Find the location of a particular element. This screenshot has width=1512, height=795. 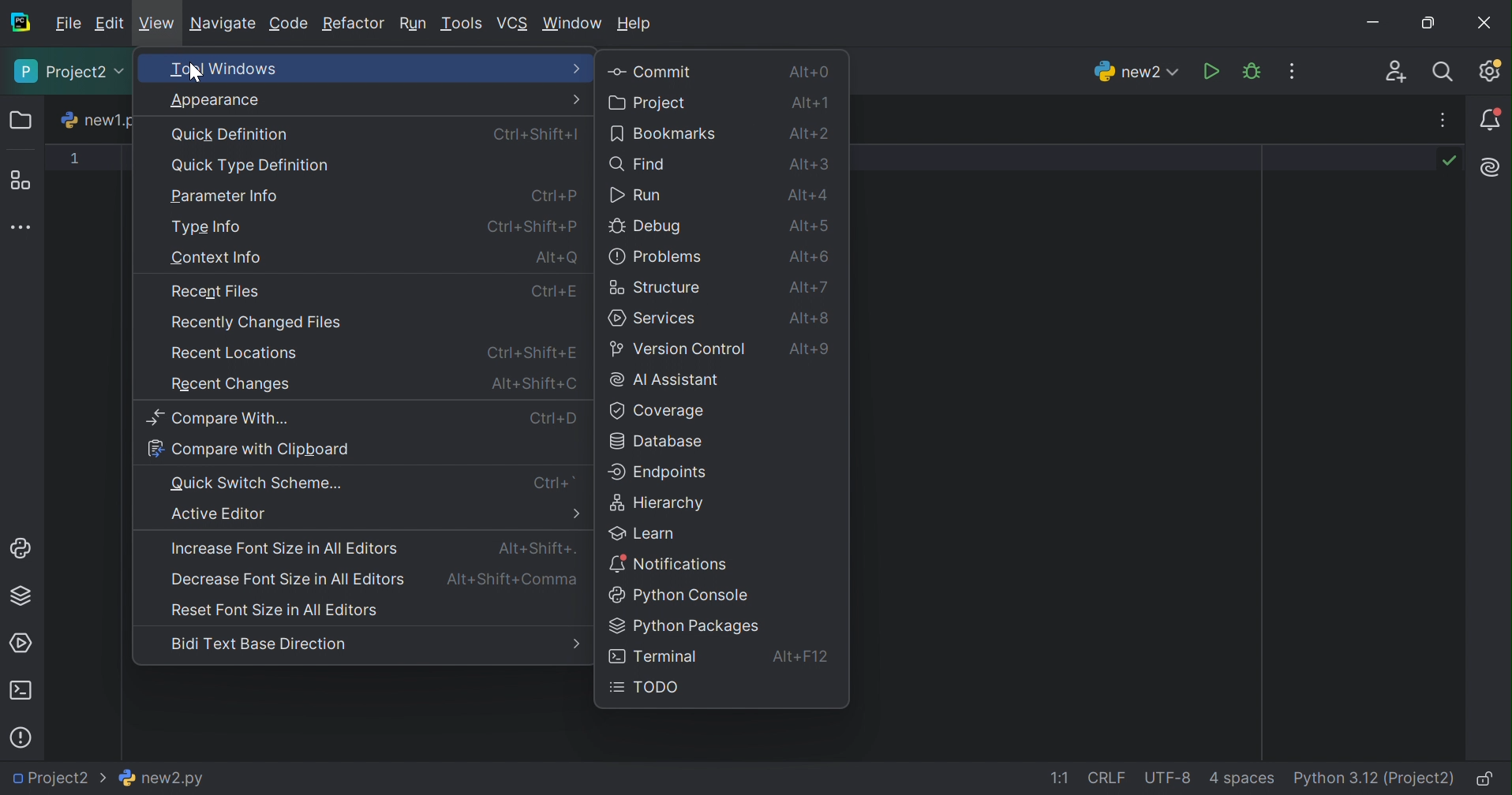

TODO is located at coordinates (646, 688).